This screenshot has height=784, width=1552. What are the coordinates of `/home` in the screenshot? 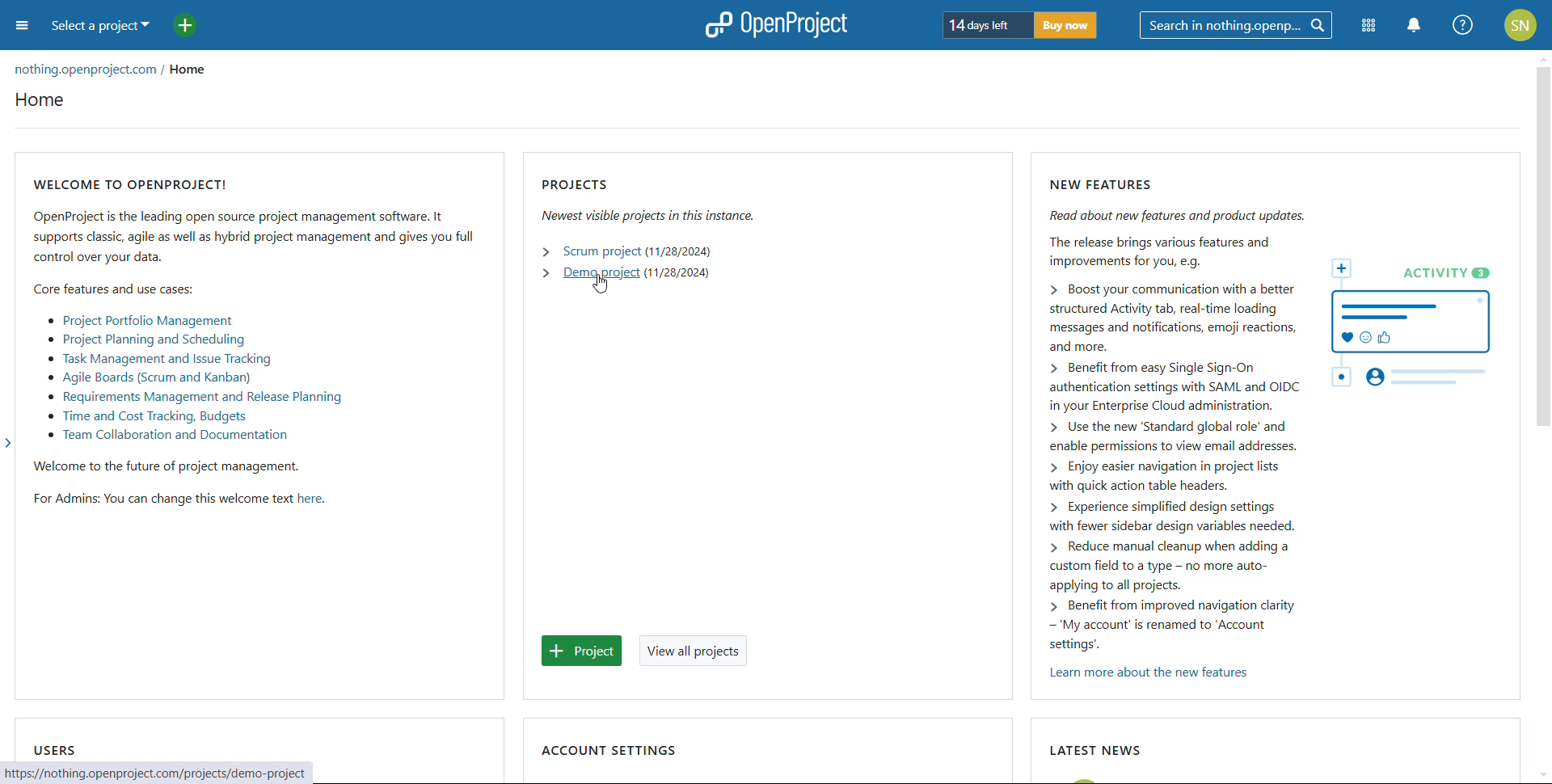 It's located at (198, 70).